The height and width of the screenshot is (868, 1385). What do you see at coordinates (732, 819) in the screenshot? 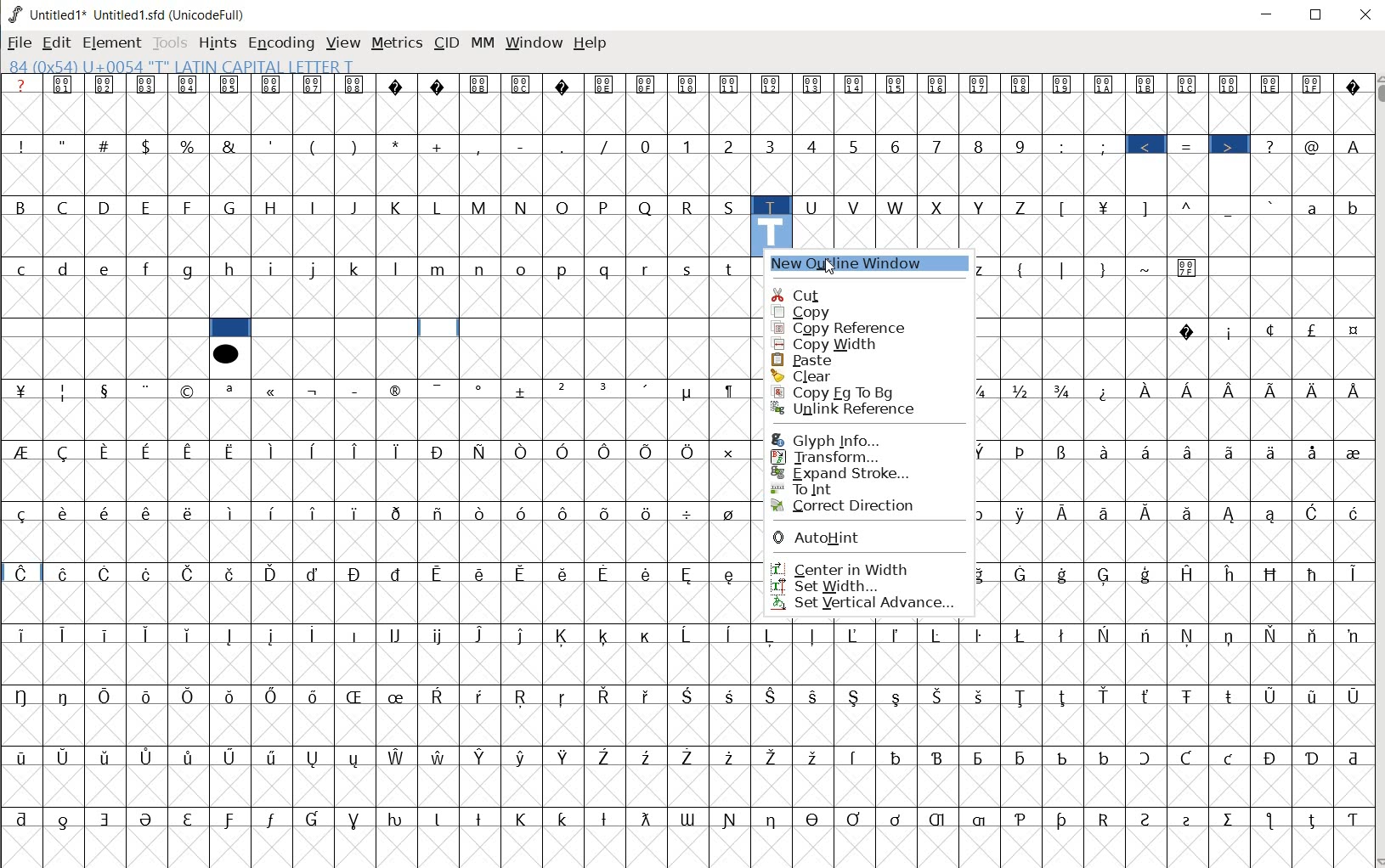
I see `Symbol` at bounding box center [732, 819].